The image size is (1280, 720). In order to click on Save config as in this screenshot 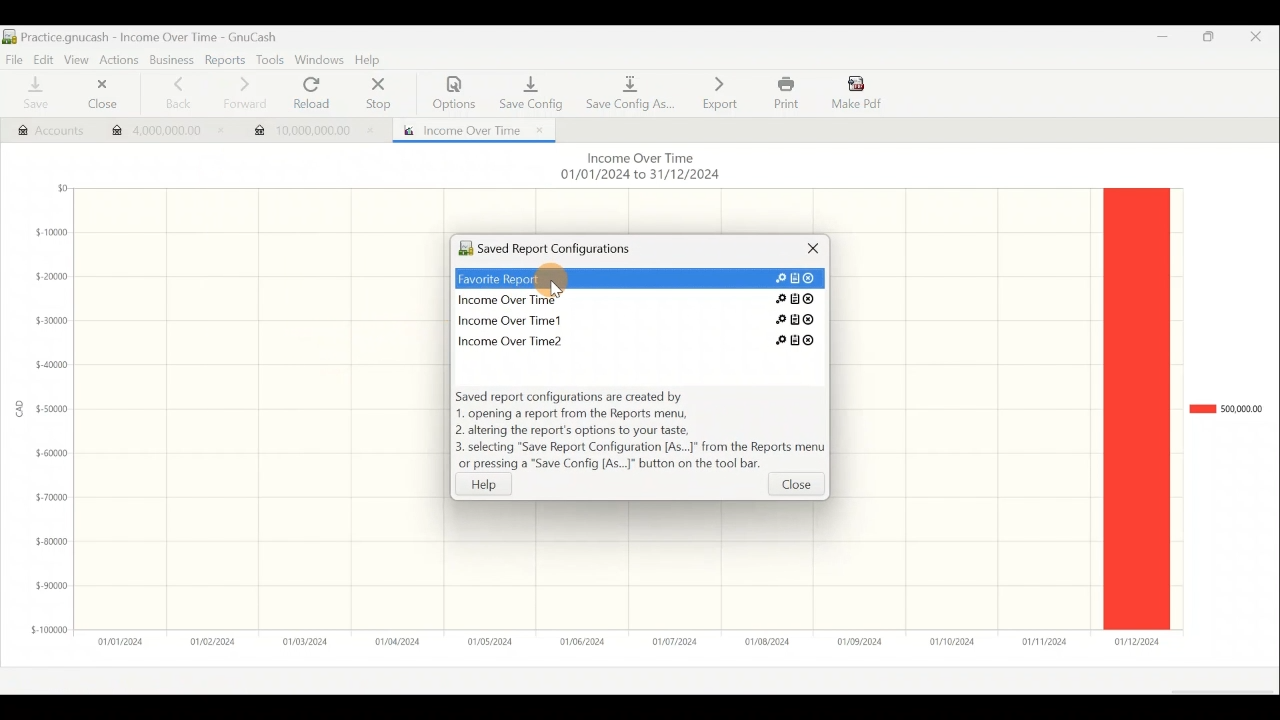, I will do `click(630, 90)`.